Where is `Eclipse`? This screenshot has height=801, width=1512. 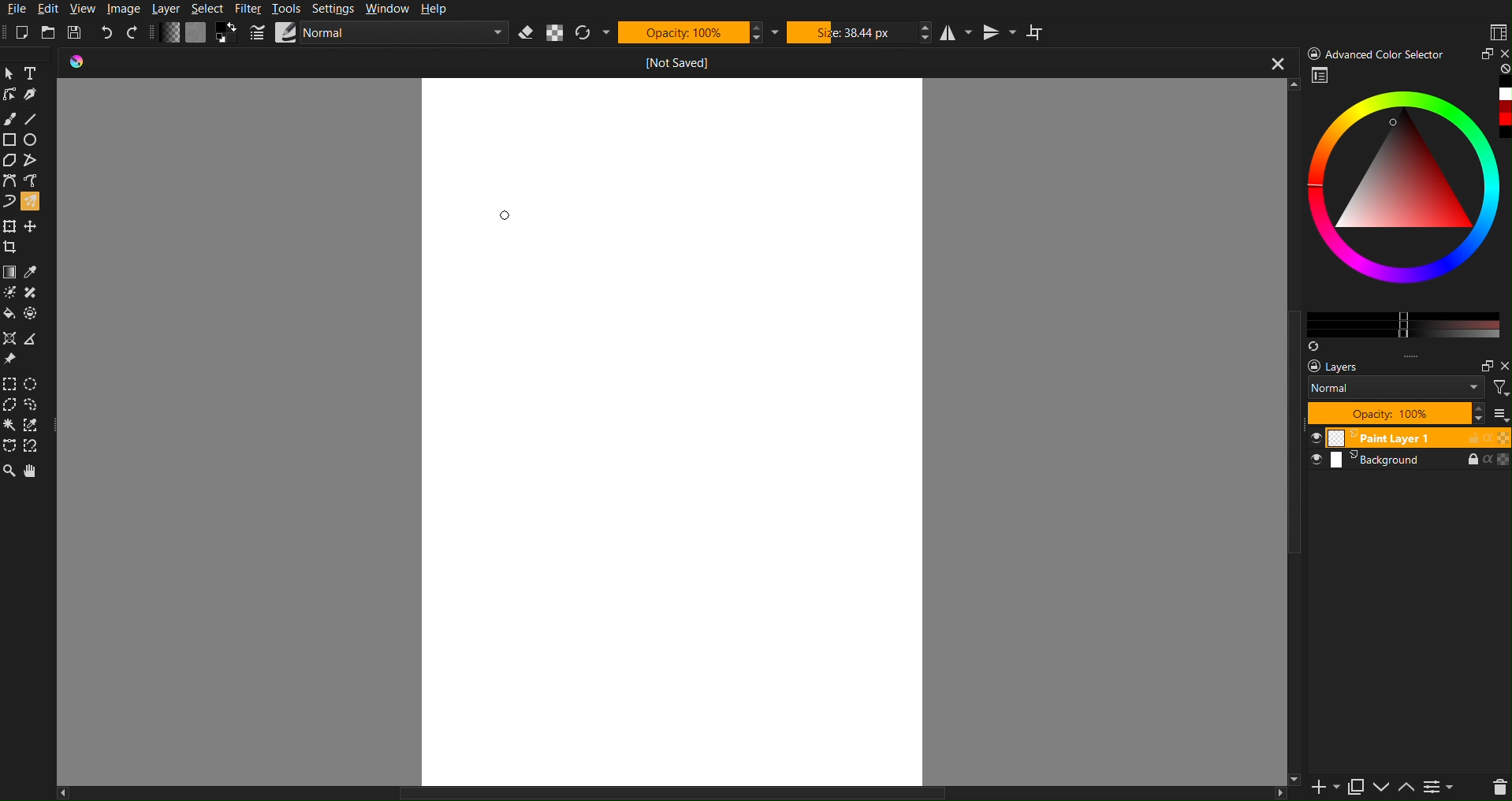 Eclipse is located at coordinates (35, 140).